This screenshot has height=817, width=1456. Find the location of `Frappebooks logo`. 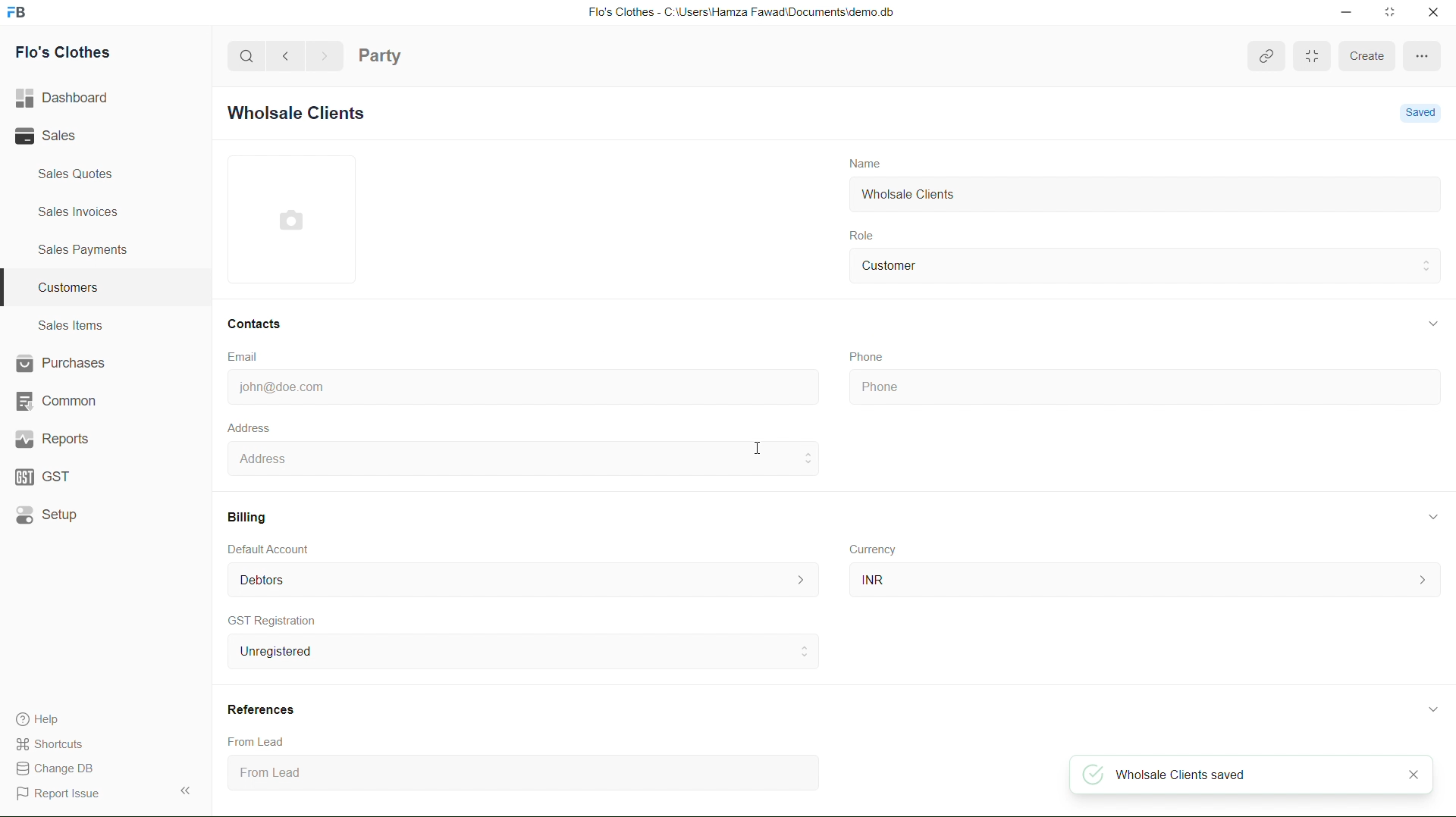

Frappebooks logo is located at coordinates (24, 14).